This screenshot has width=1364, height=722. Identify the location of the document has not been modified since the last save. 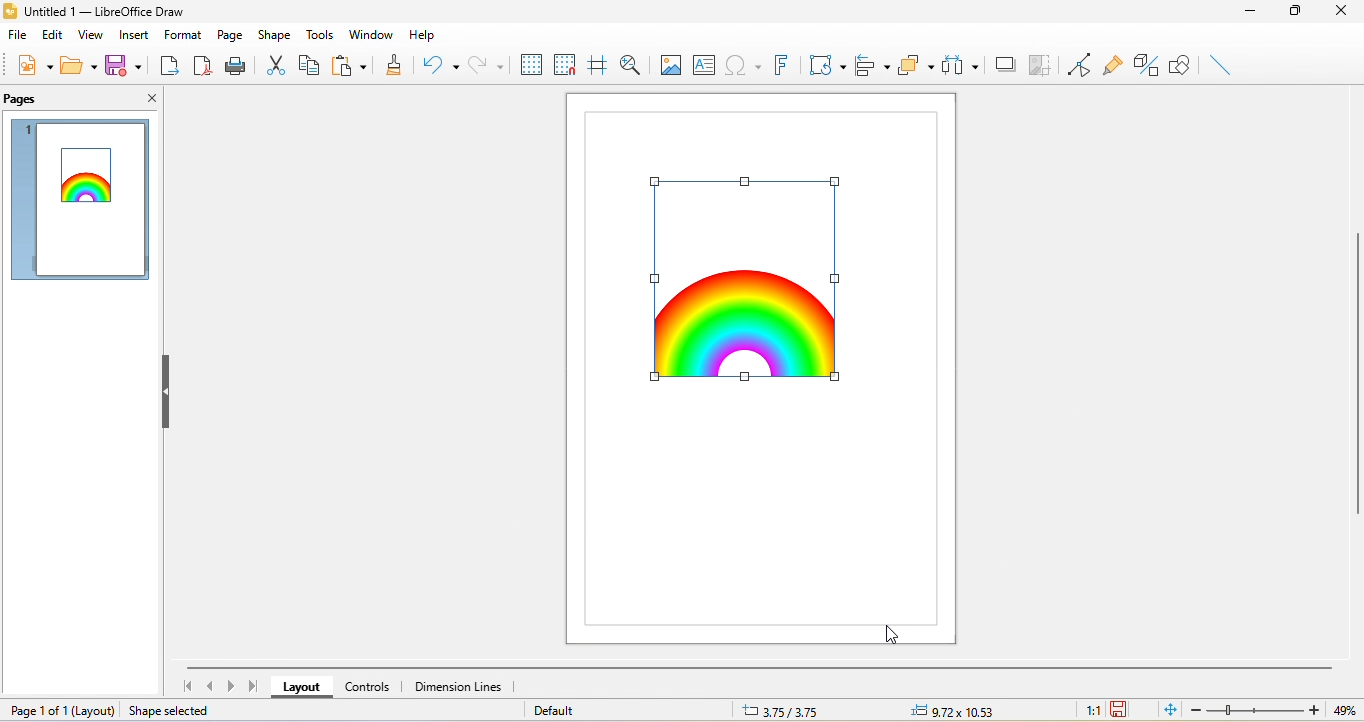
(1126, 710).